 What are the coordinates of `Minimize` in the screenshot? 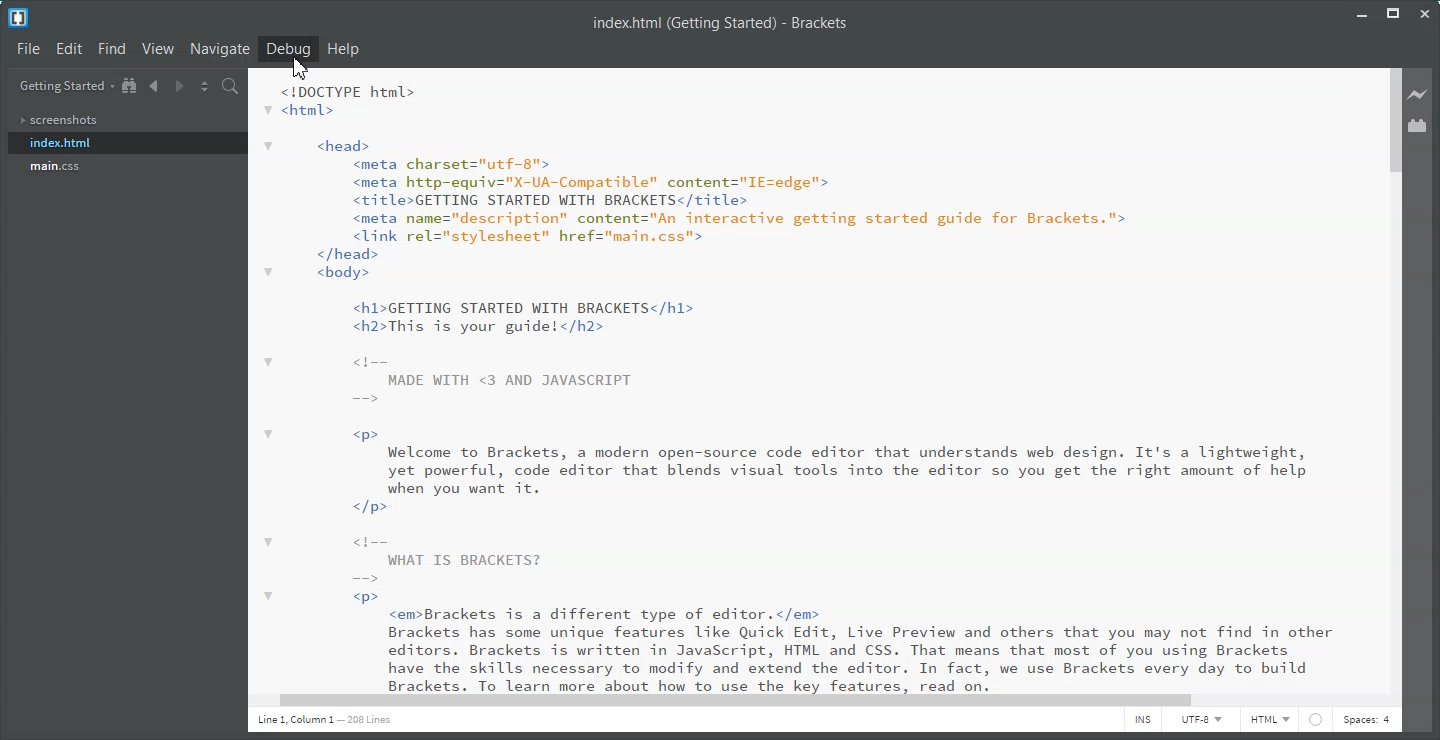 It's located at (1363, 12).